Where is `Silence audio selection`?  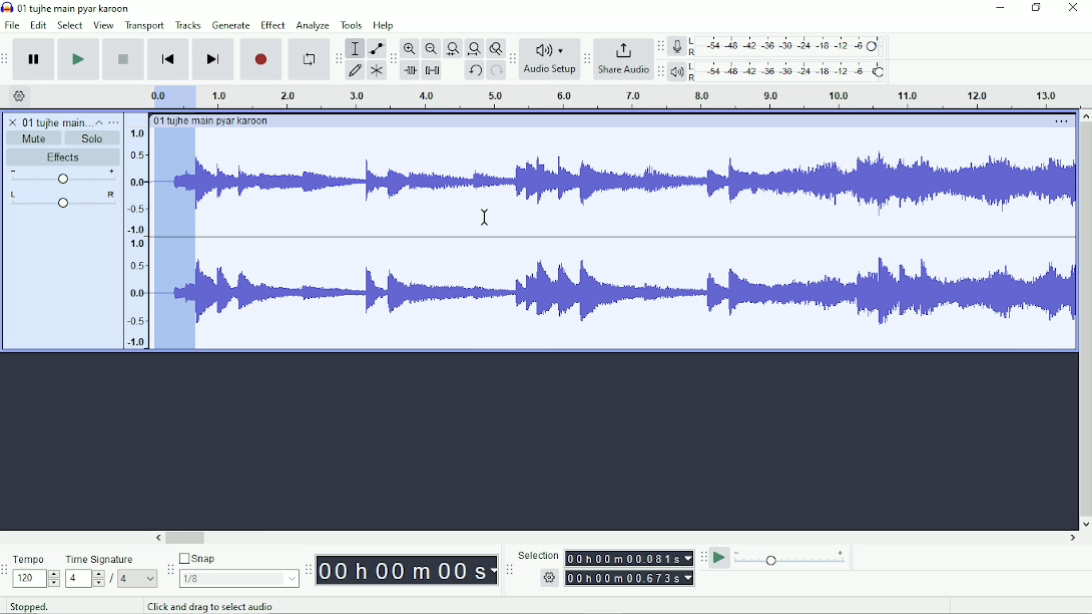 Silence audio selection is located at coordinates (432, 70).